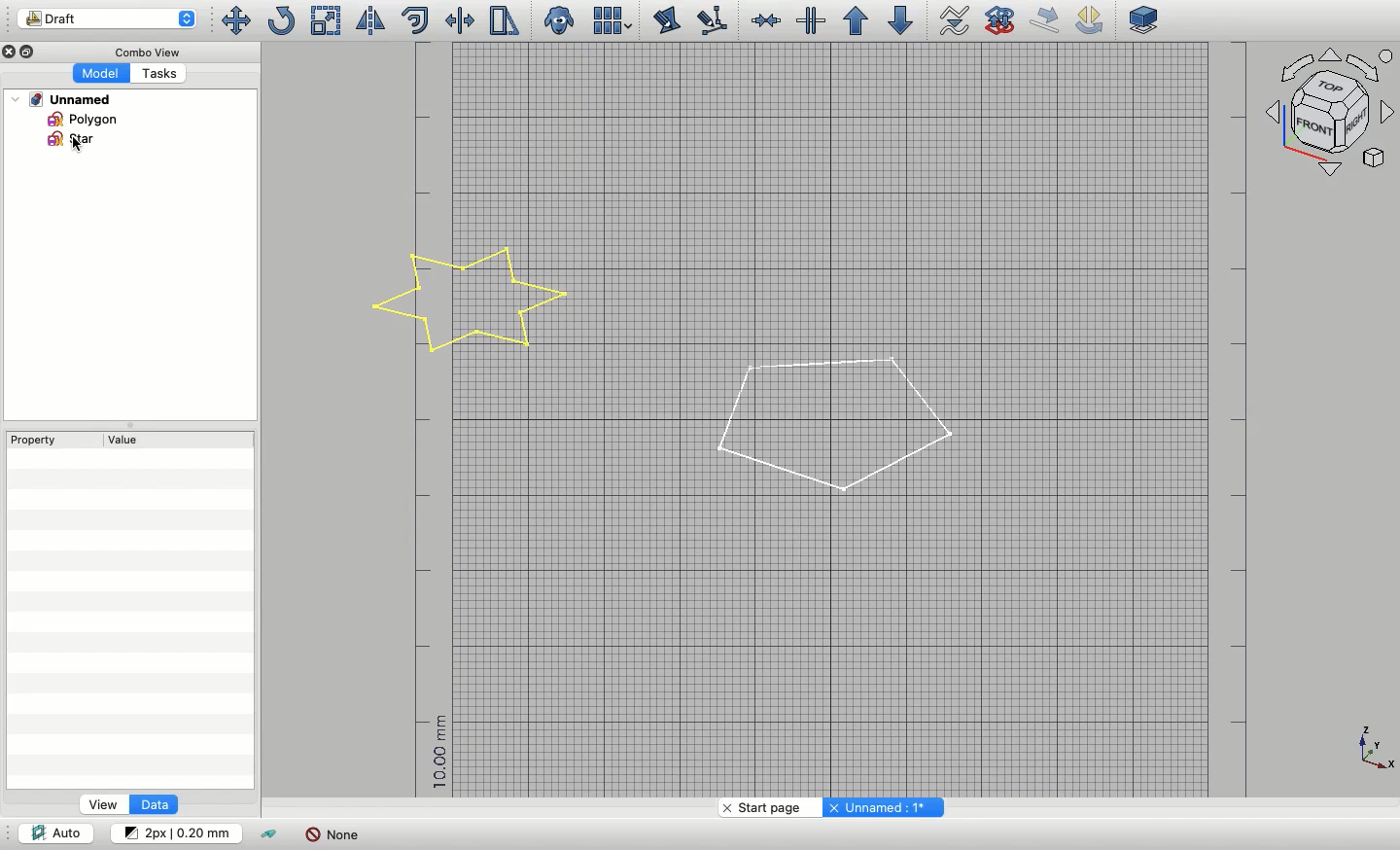 The image size is (1400, 850). Describe the element at coordinates (833, 427) in the screenshot. I see `Polygon` at that location.